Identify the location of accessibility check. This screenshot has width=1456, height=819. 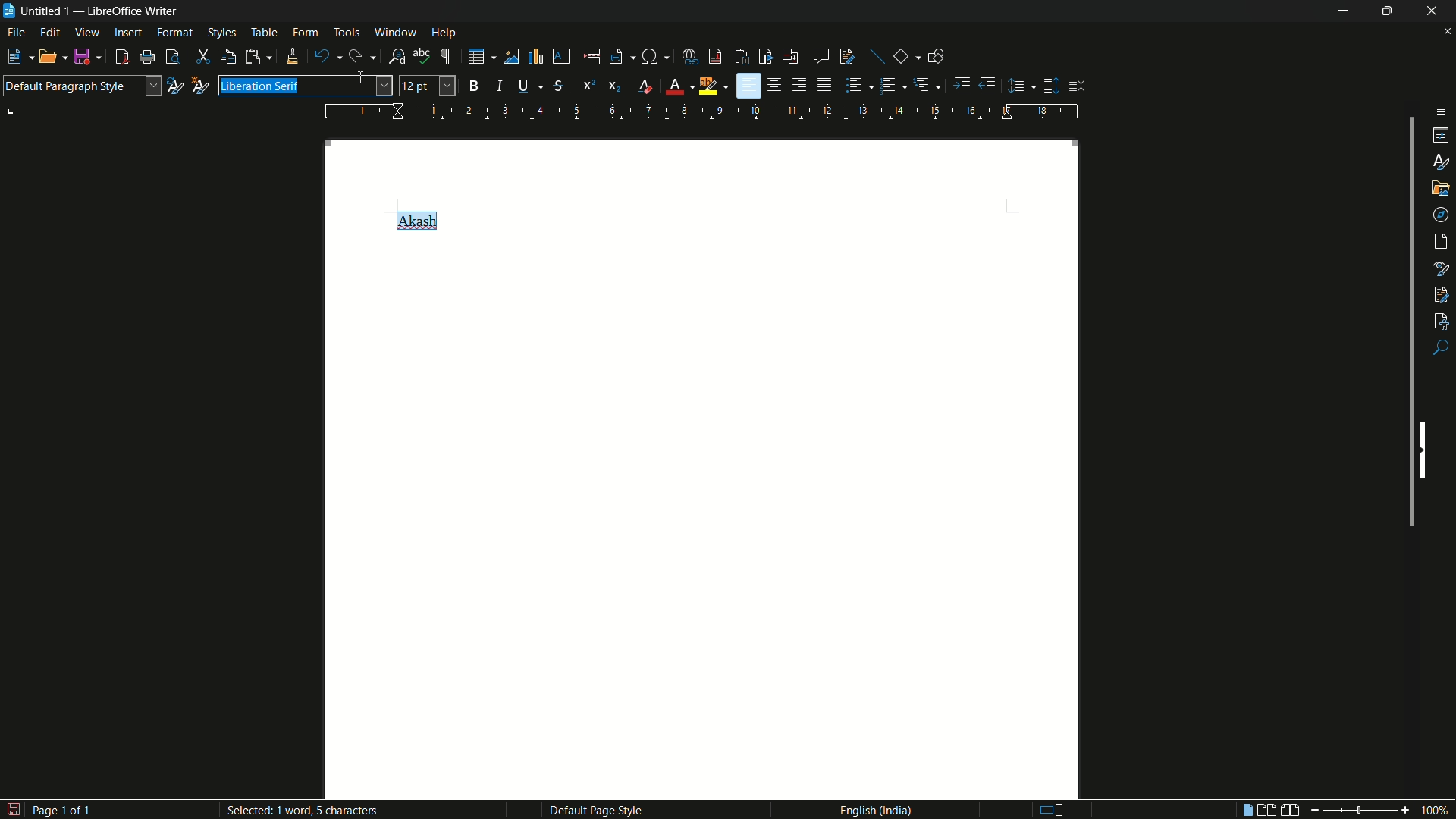
(1442, 319).